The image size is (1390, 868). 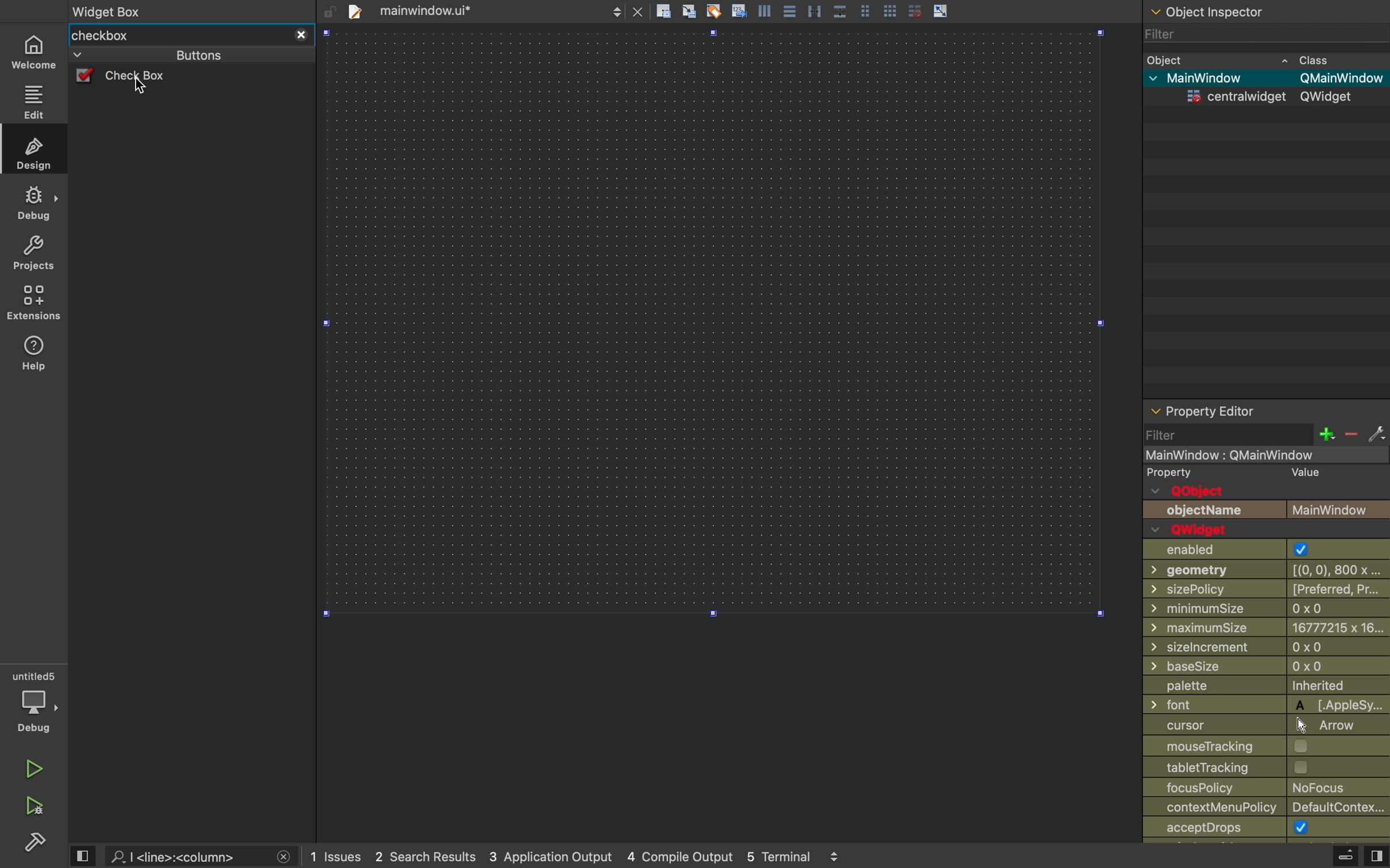 I want to click on objectname, so click(x=1266, y=510).